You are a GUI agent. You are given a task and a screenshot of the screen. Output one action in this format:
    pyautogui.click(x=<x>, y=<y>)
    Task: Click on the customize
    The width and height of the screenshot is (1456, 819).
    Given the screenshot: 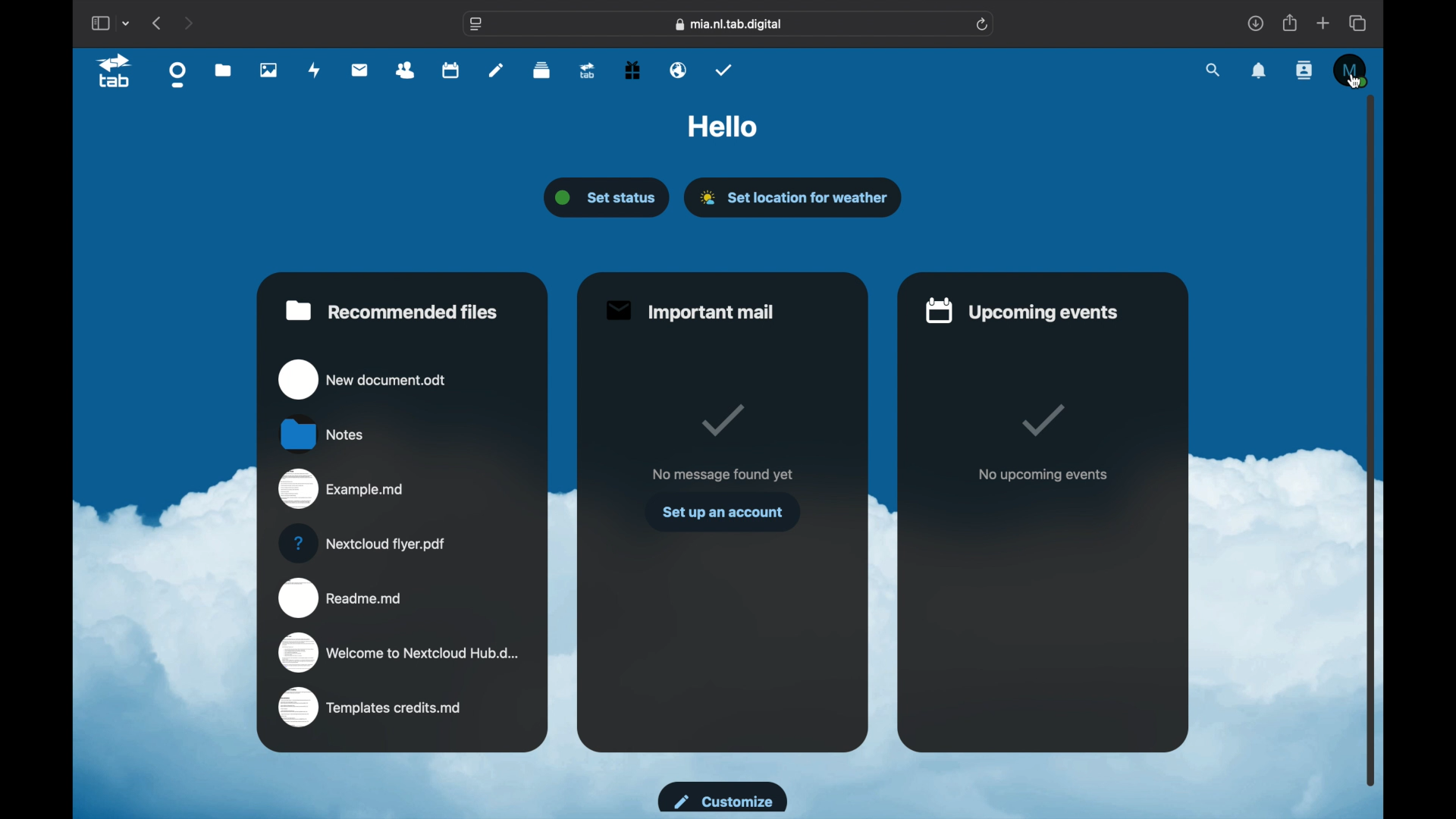 What is the action you would take?
    pyautogui.click(x=723, y=798)
    